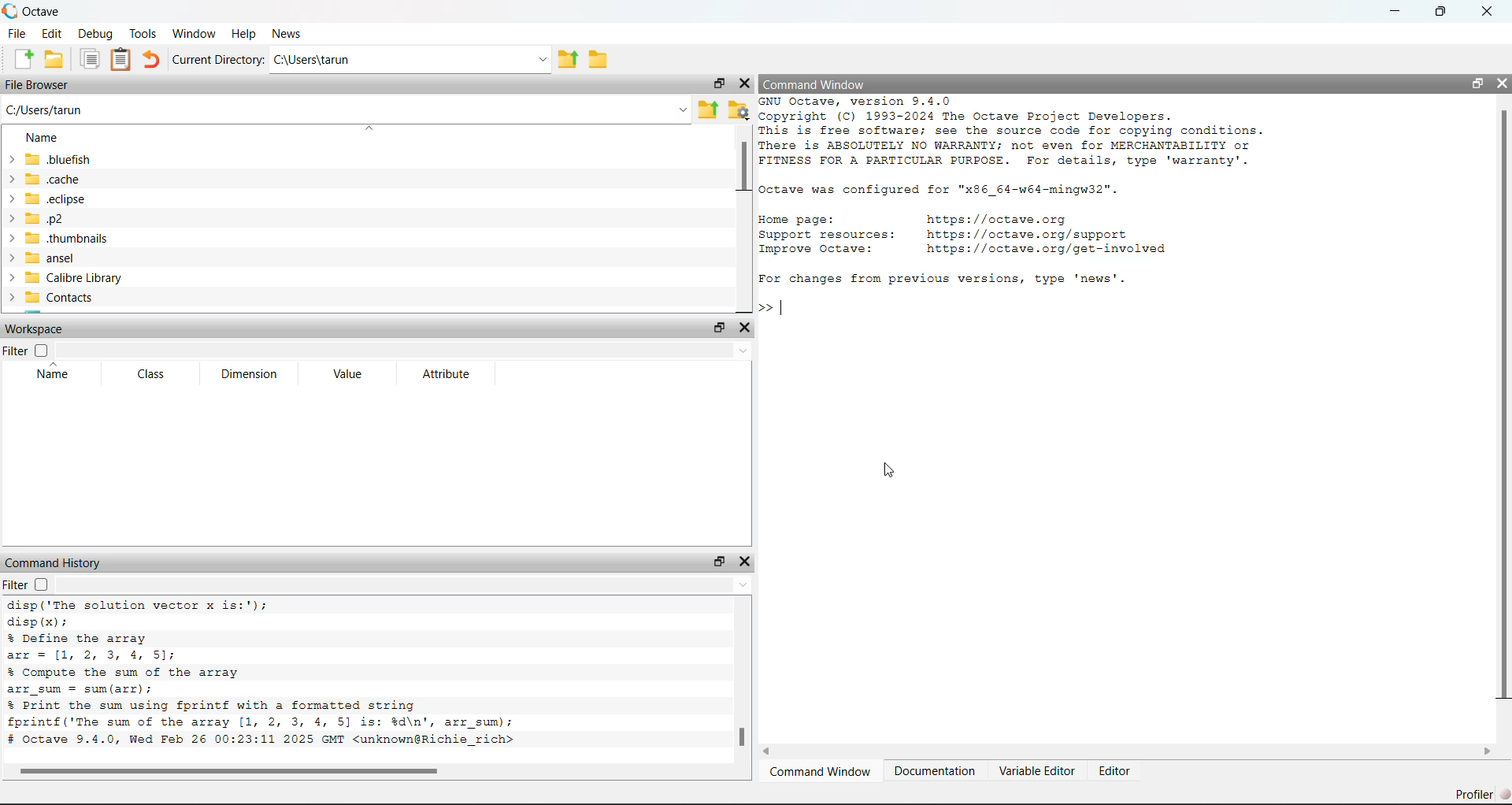 The image size is (1512, 805). What do you see at coordinates (43, 585) in the screenshot?
I see `Check box` at bounding box center [43, 585].